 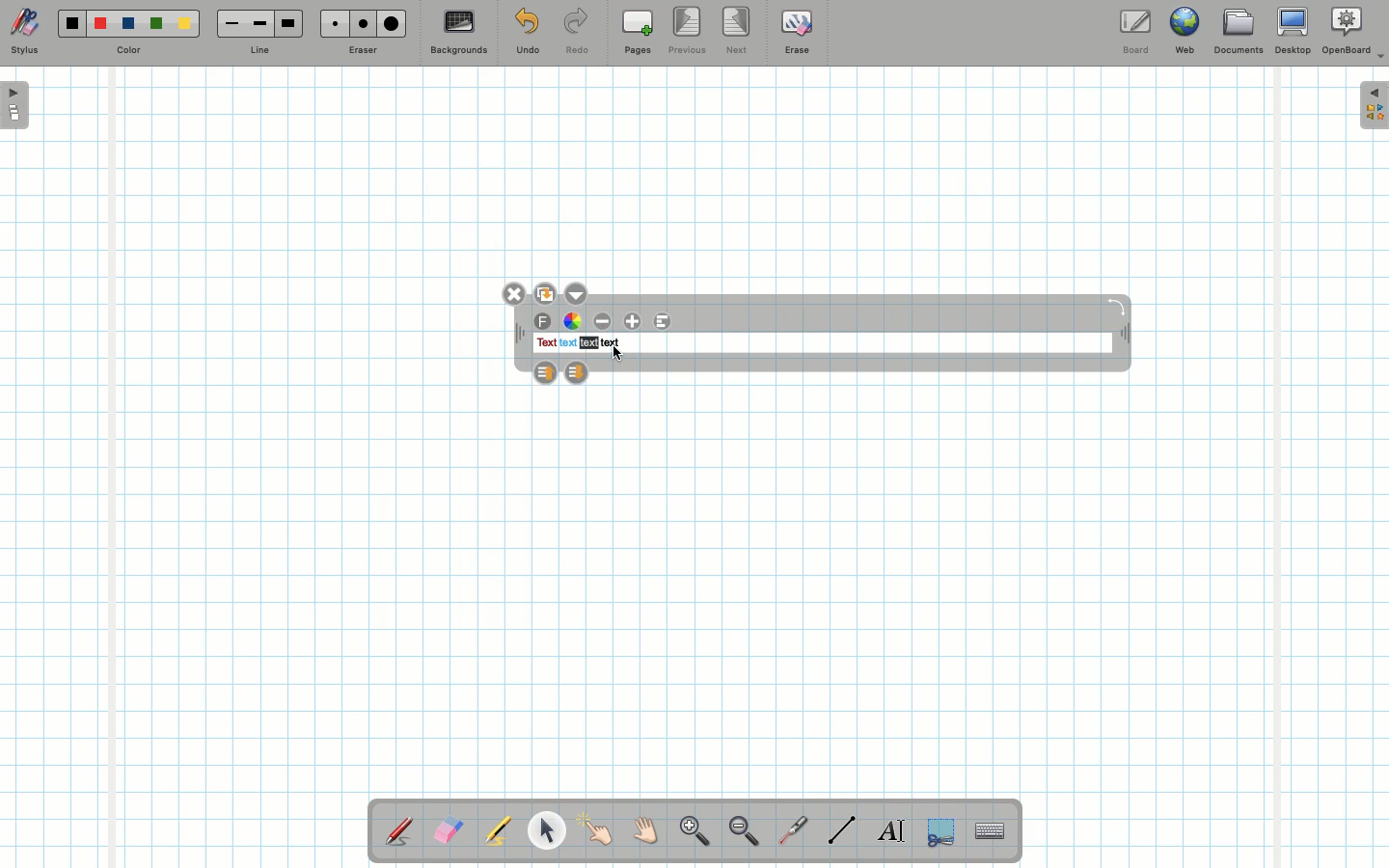 I want to click on Line, so click(x=259, y=51).